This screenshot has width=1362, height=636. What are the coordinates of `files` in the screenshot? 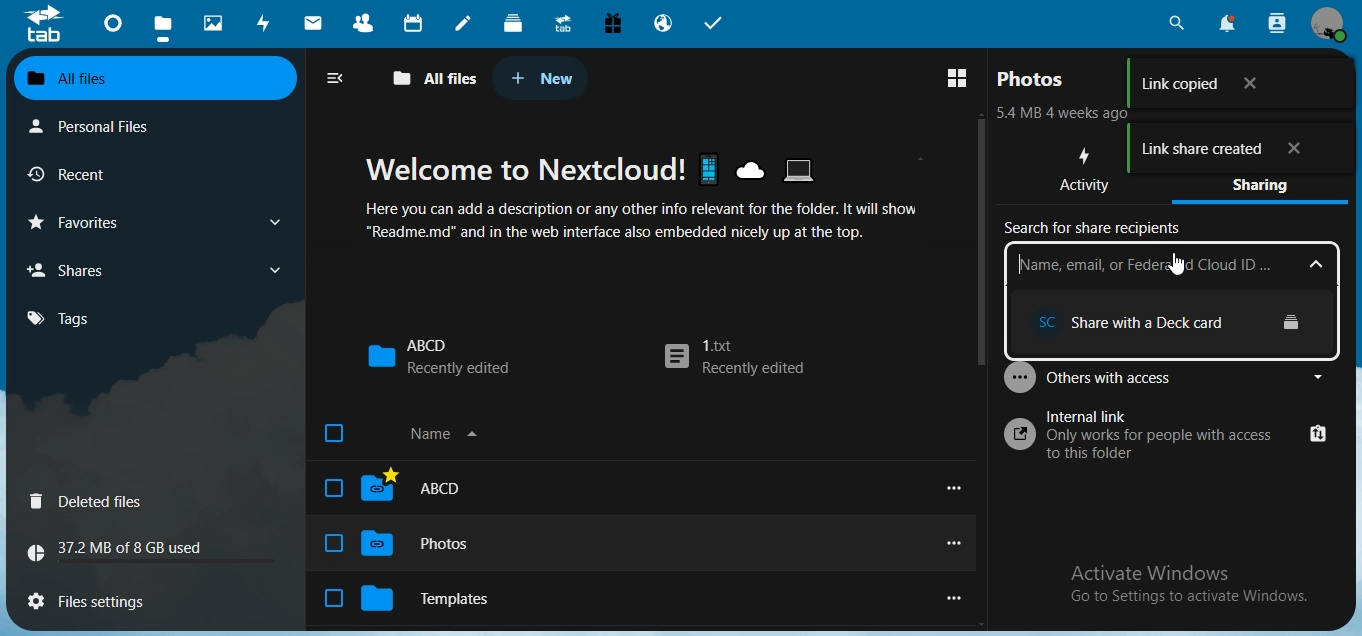 It's located at (163, 30).